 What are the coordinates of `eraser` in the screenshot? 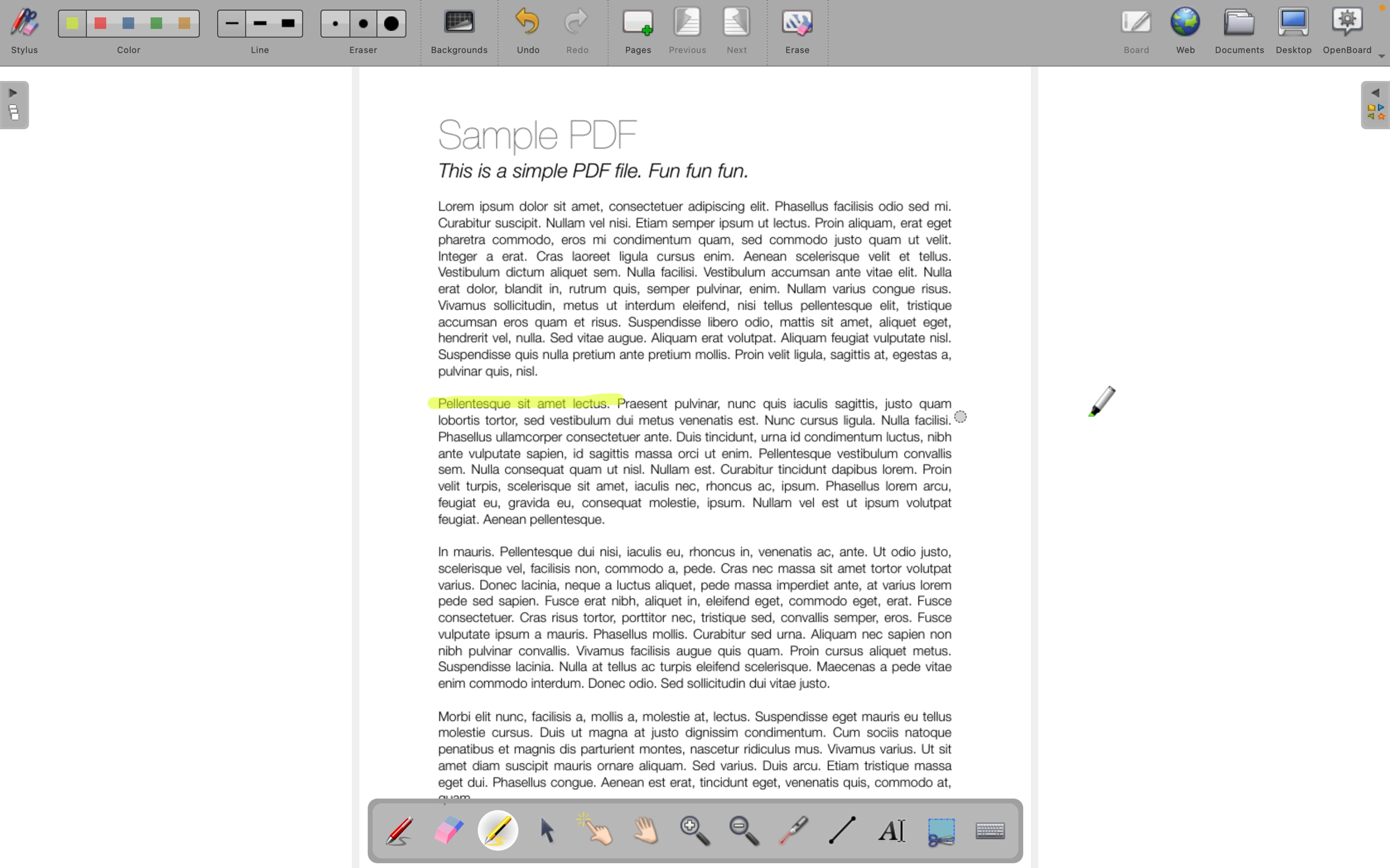 It's located at (448, 831).